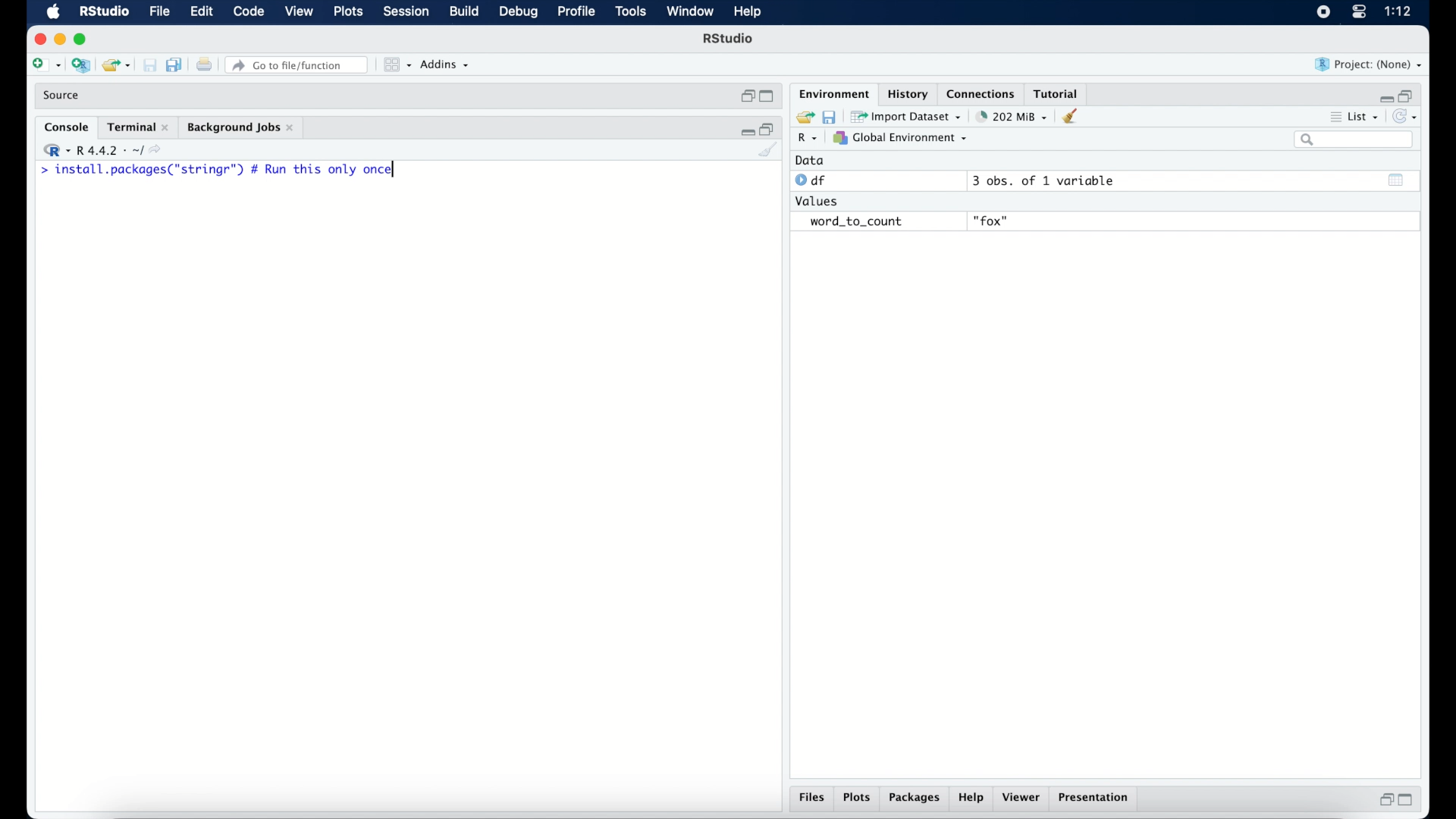 The height and width of the screenshot is (819, 1456). What do you see at coordinates (983, 93) in the screenshot?
I see `connections` at bounding box center [983, 93].